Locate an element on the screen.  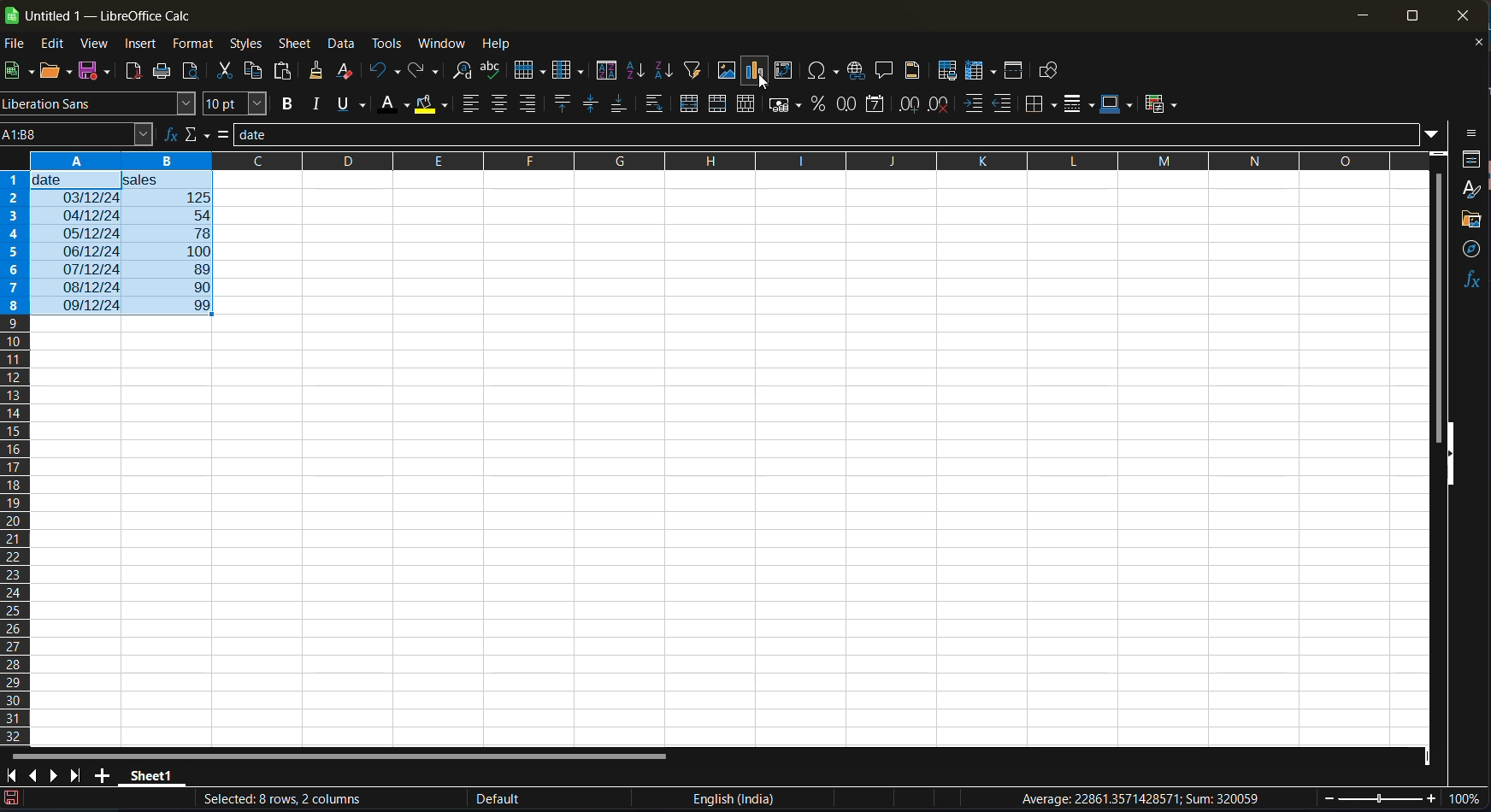
scroll to last sheet is located at coordinates (79, 777).